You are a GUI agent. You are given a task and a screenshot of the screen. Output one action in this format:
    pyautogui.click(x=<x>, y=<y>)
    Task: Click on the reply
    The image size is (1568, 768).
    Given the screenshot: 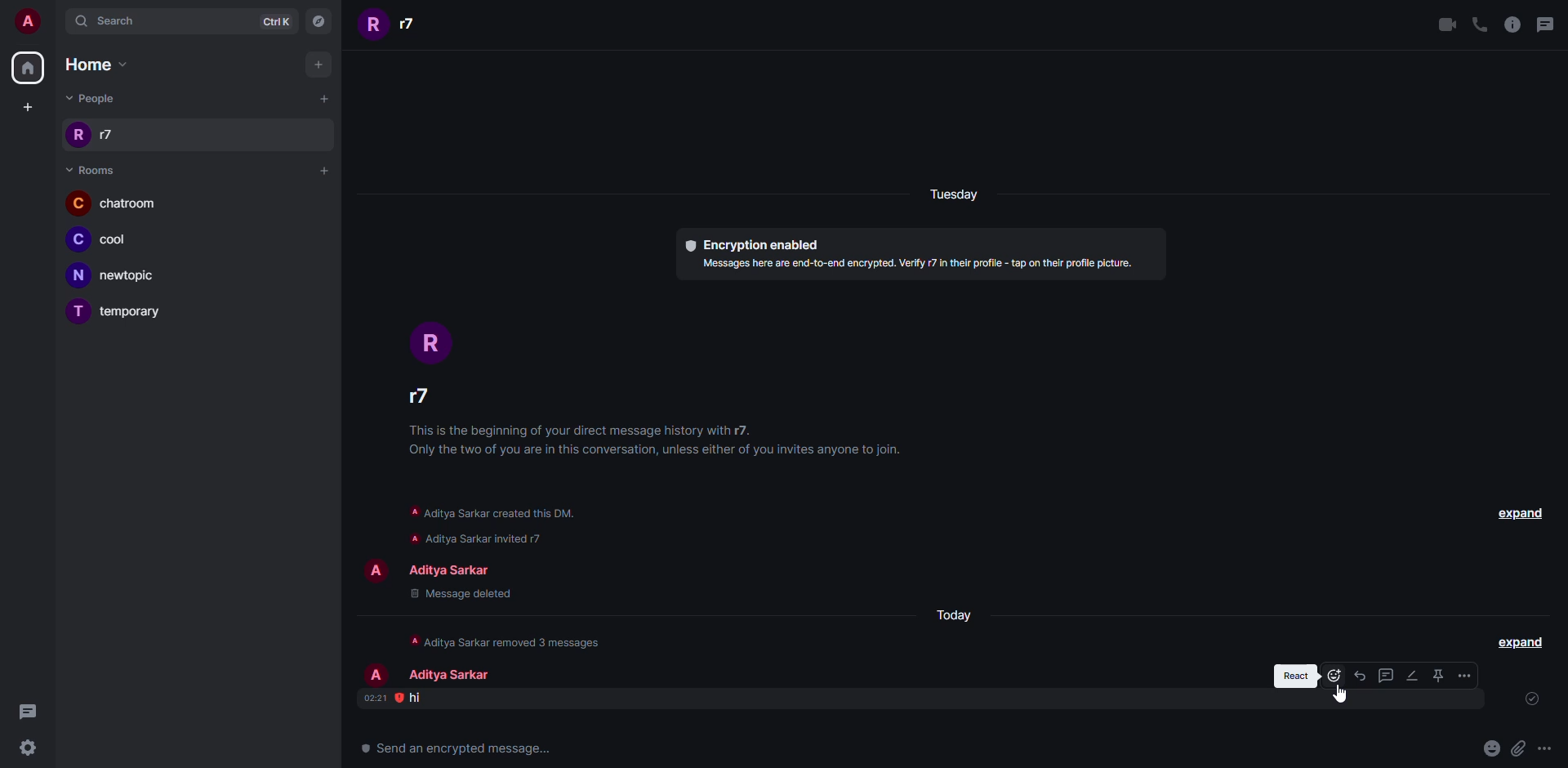 What is the action you would take?
    pyautogui.click(x=1361, y=676)
    